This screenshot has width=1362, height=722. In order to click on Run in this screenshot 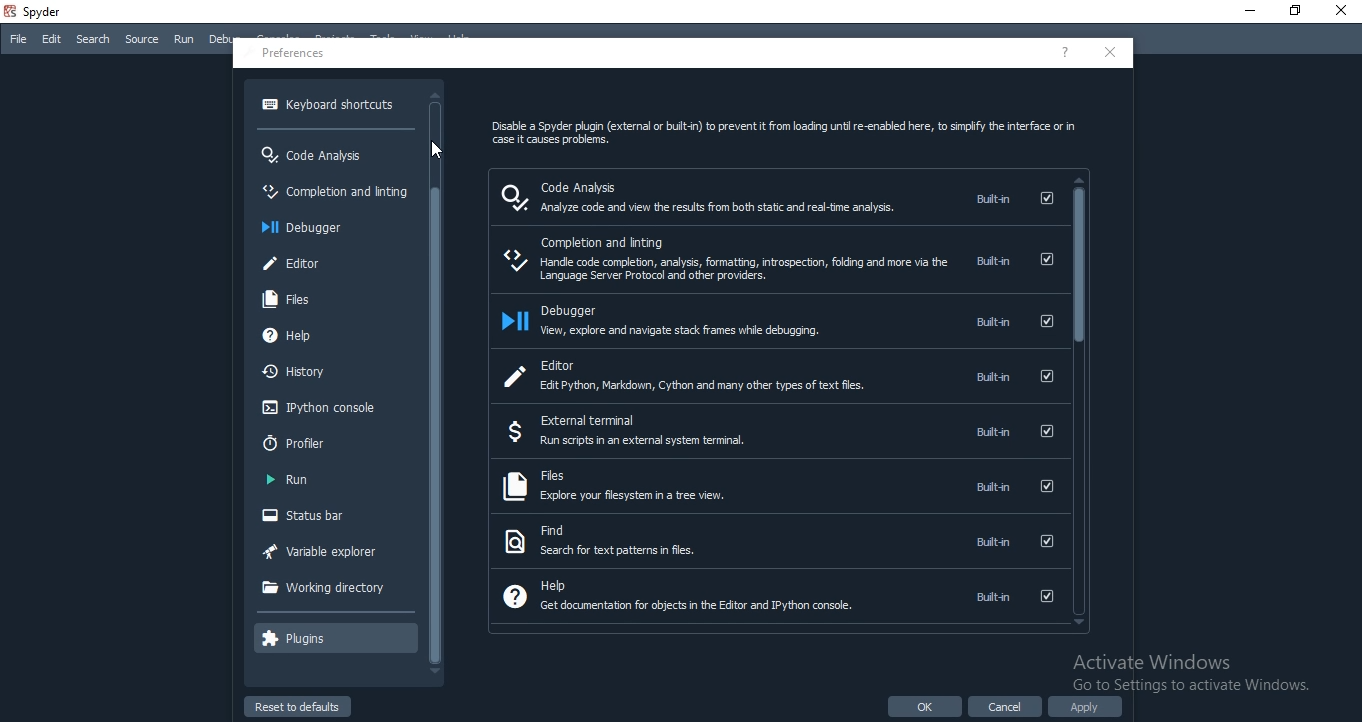, I will do `click(290, 480)`.